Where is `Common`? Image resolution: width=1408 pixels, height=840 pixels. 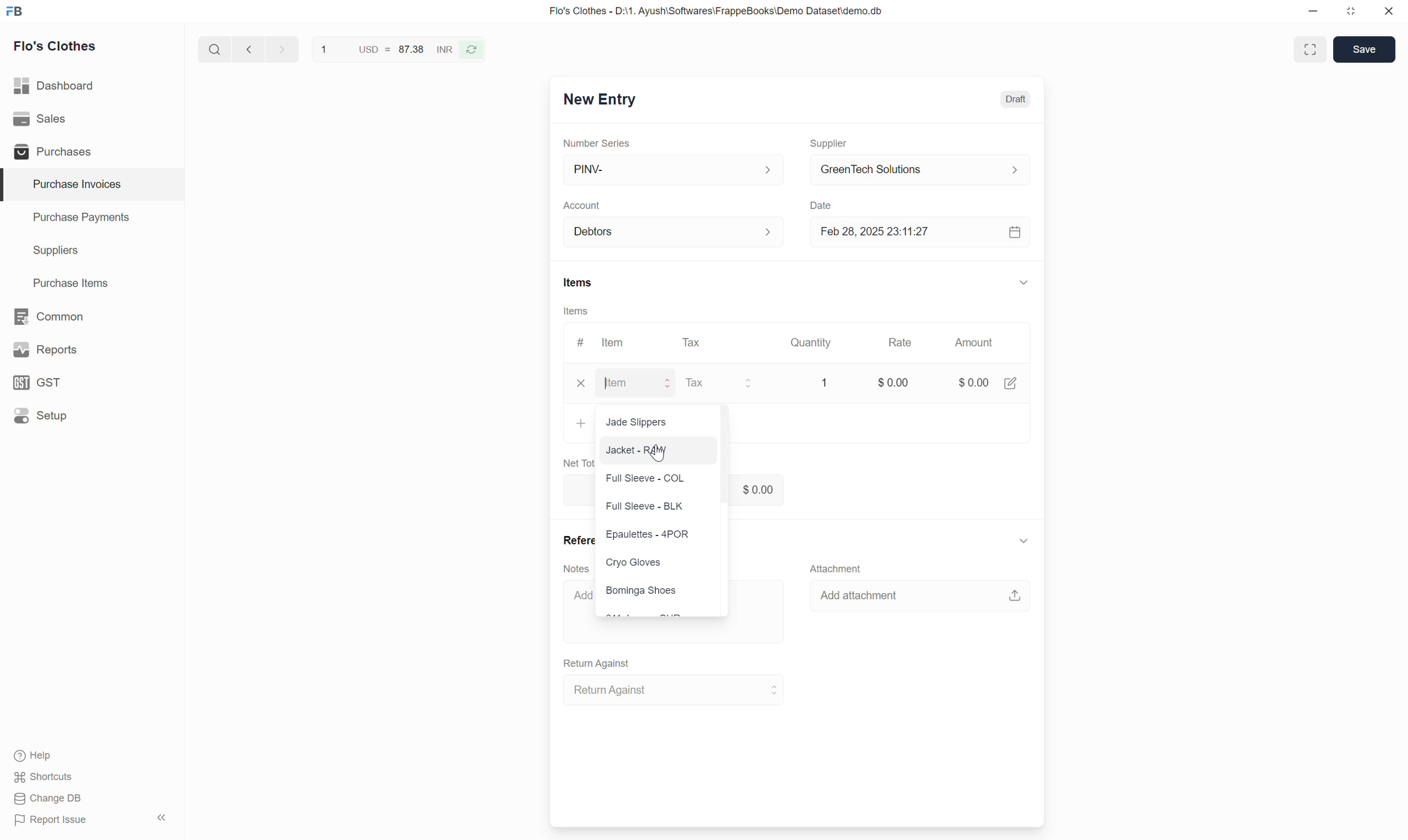 Common is located at coordinates (92, 316).